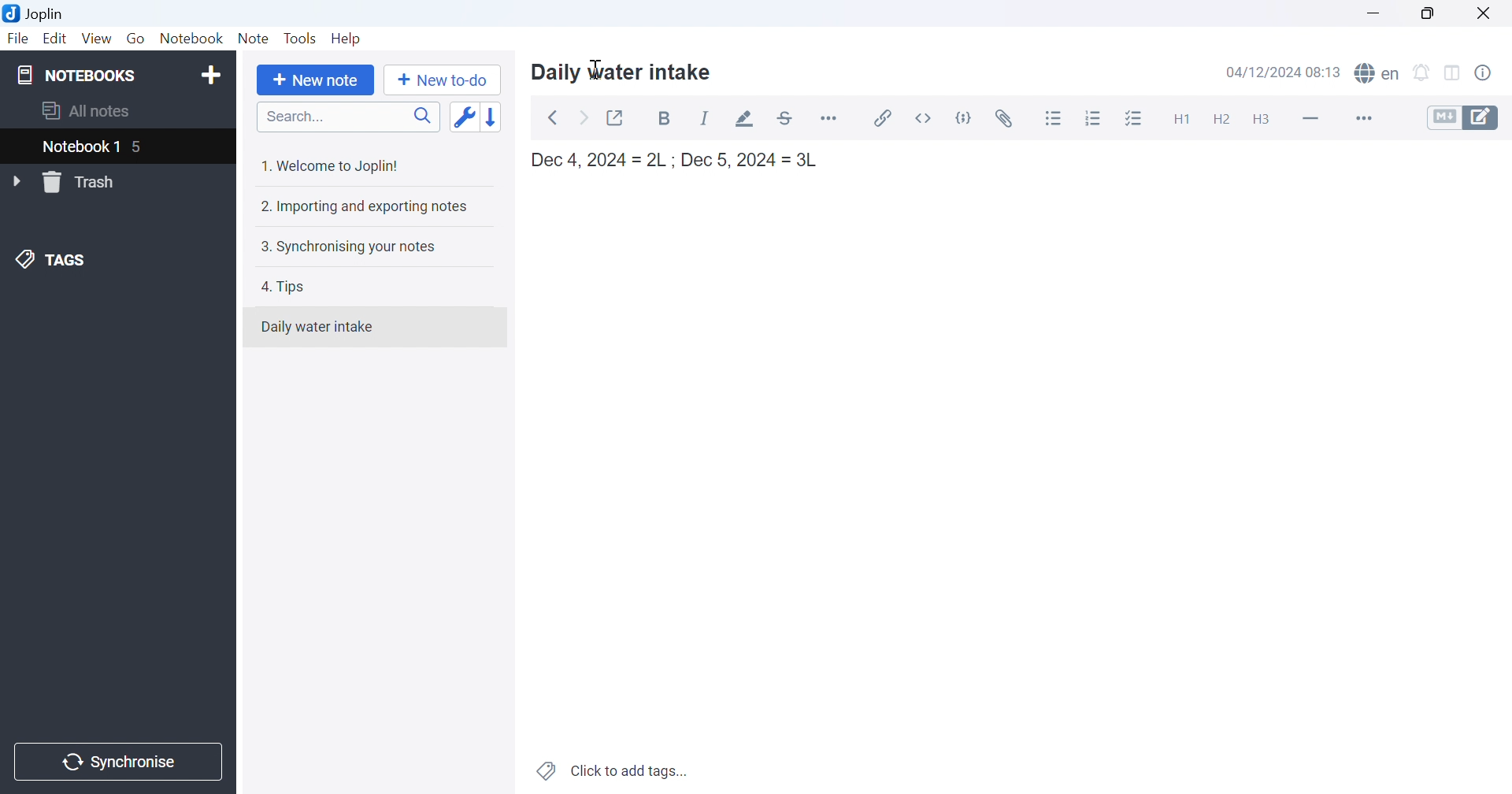  What do you see at coordinates (209, 76) in the screenshot?
I see `Add notebook` at bounding box center [209, 76].